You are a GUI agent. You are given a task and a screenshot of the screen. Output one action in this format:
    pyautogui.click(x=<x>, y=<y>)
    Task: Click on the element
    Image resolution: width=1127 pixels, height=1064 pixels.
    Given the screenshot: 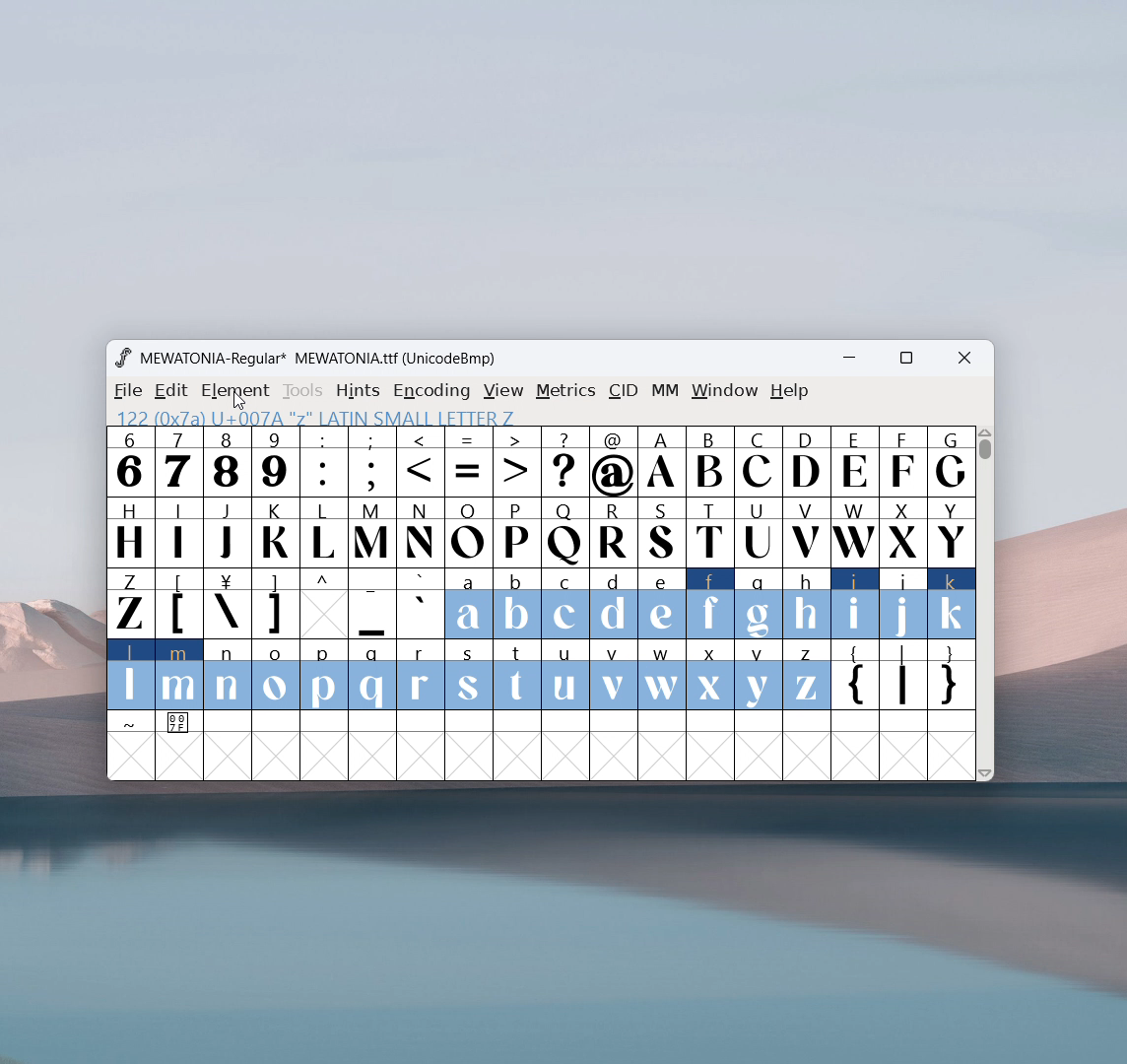 What is the action you would take?
    pyautogui.click(x=235, y=391)
    